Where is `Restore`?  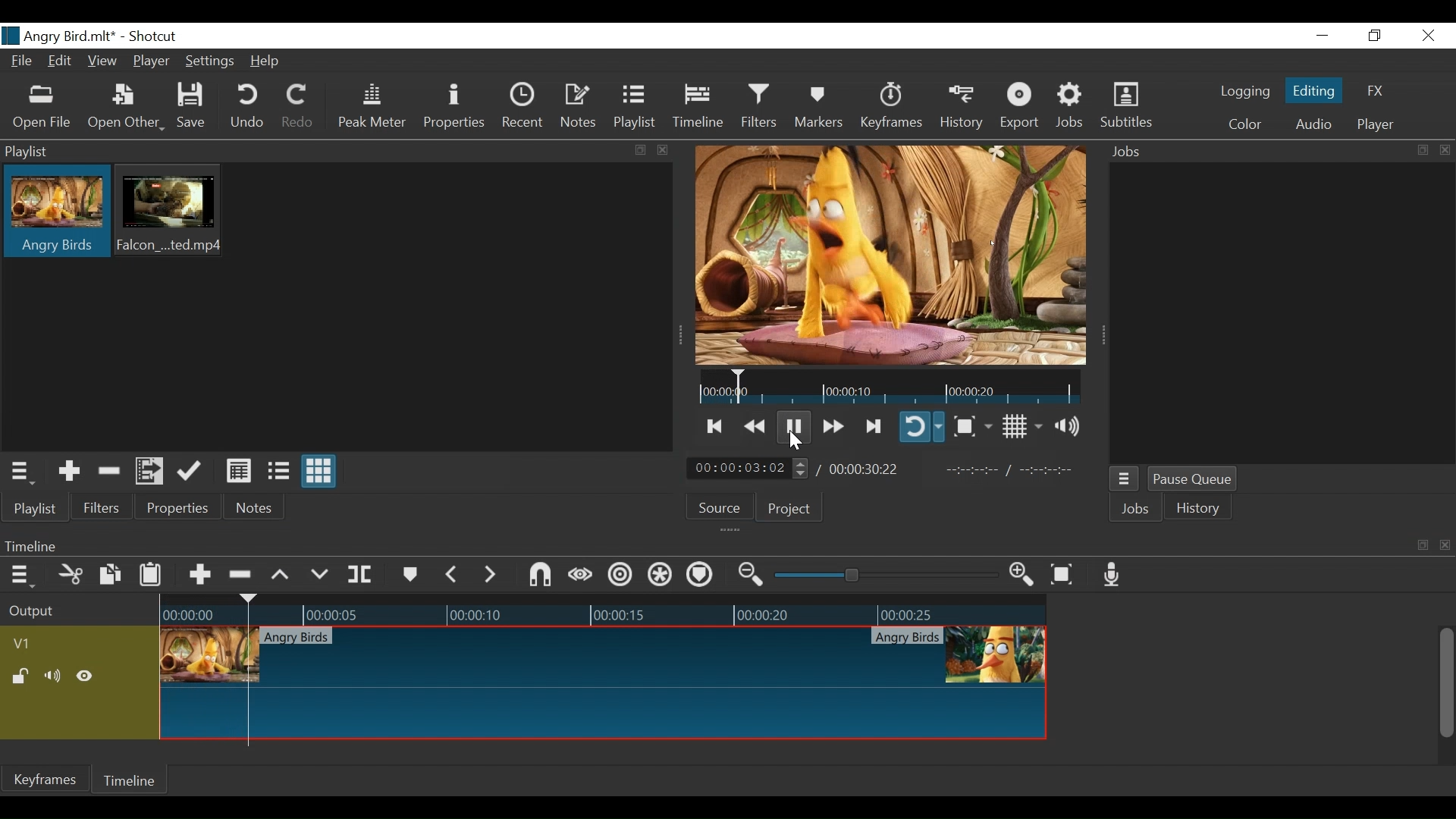
Restore is located at coordinates (1373, 36).